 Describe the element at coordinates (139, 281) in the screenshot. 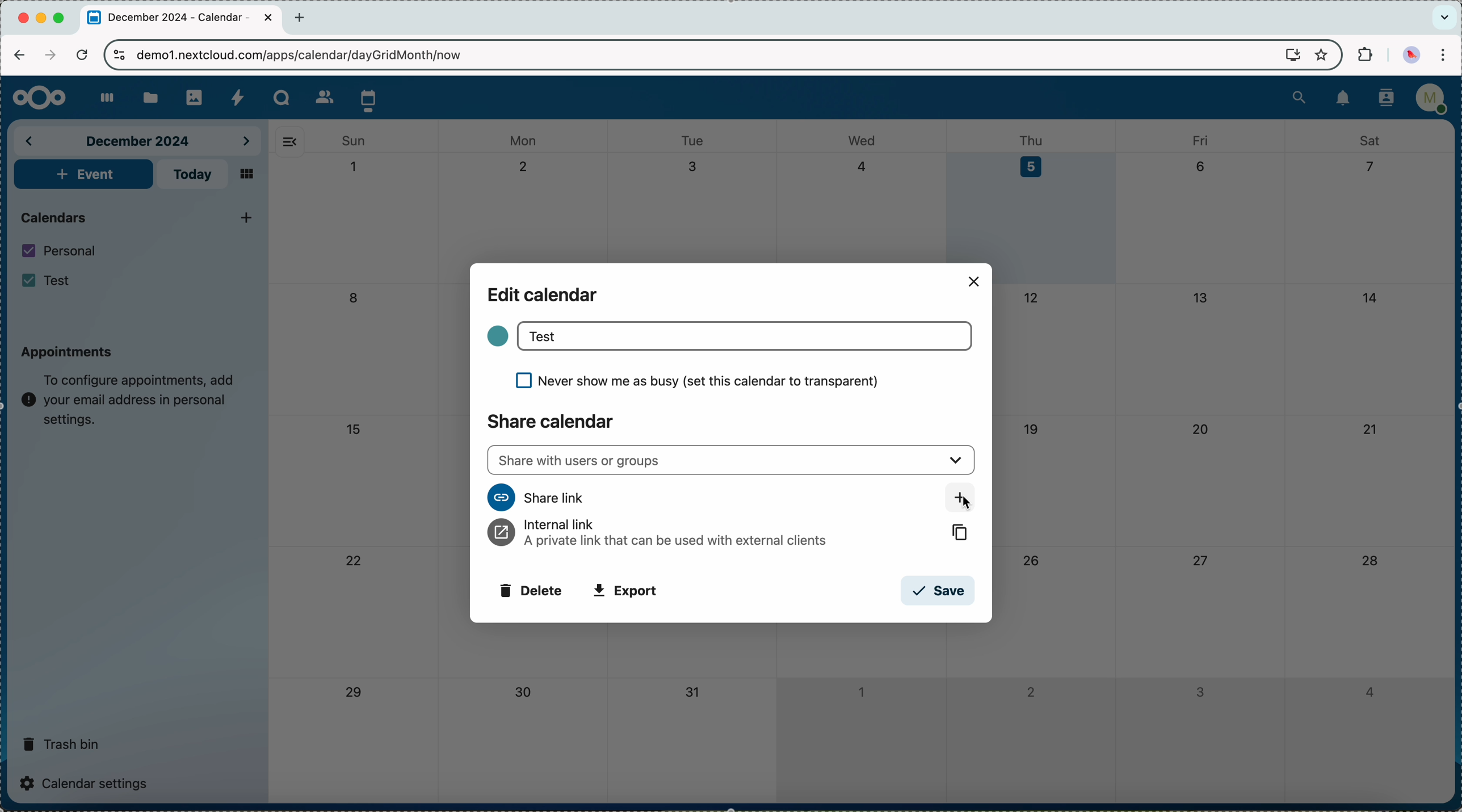

I see `Test calendar` at that location.